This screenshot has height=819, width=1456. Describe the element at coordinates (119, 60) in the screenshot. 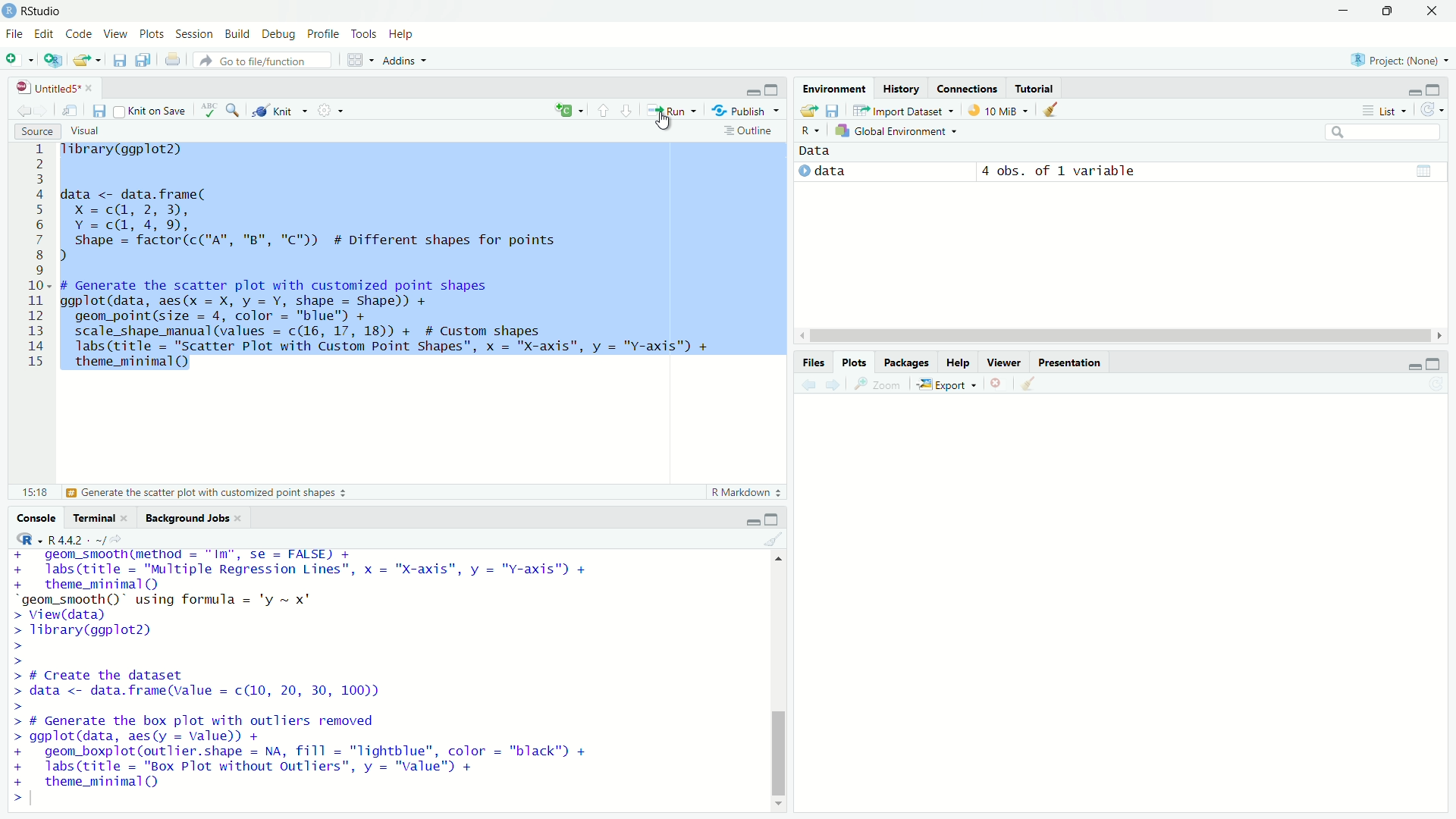

I see `Save current document` at that location.